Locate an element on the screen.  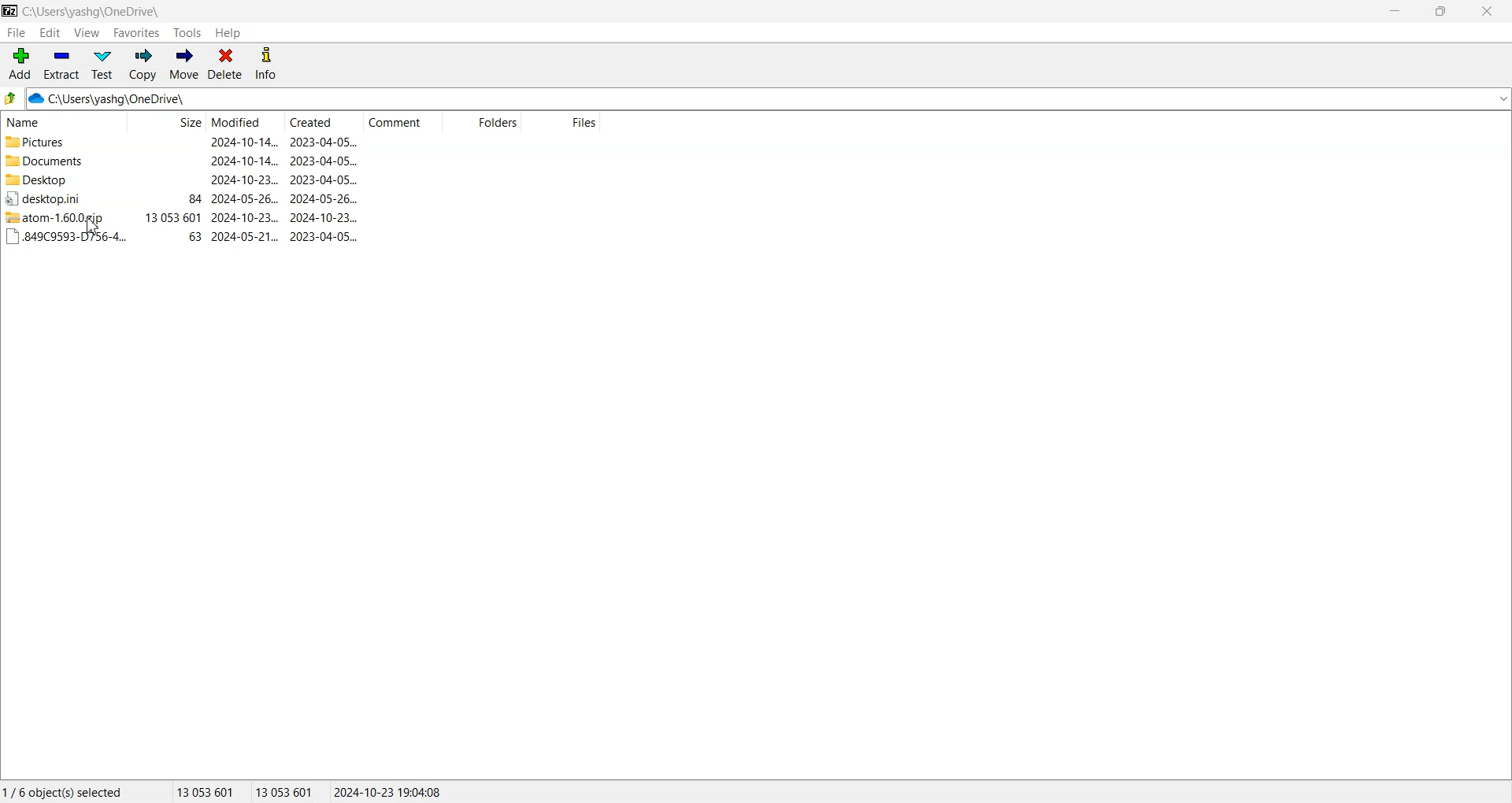
2024-10-23 is located at coordinates (324, 217).